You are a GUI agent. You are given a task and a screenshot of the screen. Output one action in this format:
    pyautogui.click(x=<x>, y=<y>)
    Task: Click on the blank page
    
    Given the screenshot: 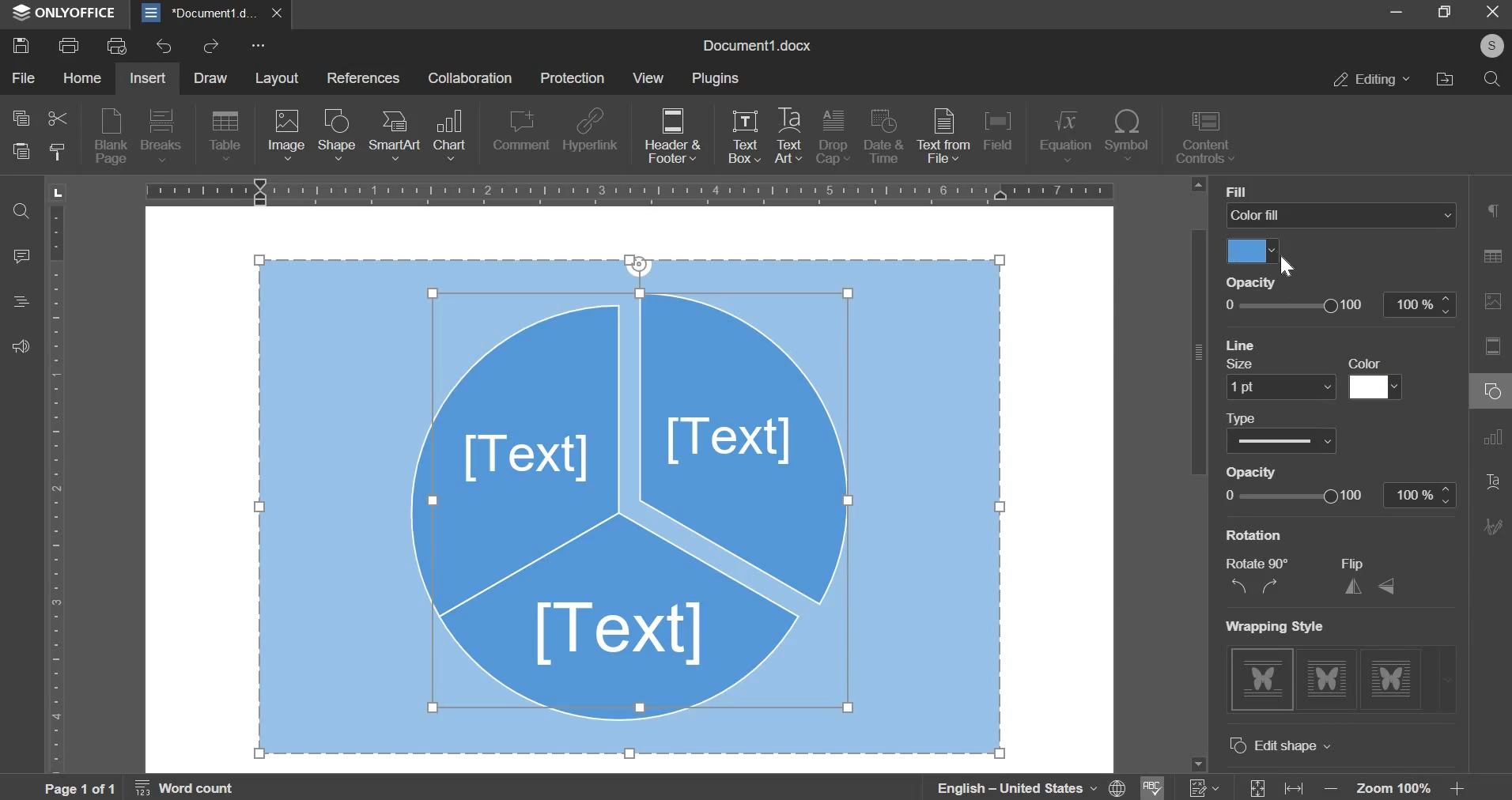 What is the action you would take?
    pyautogui.click(x=112, y=135)
    